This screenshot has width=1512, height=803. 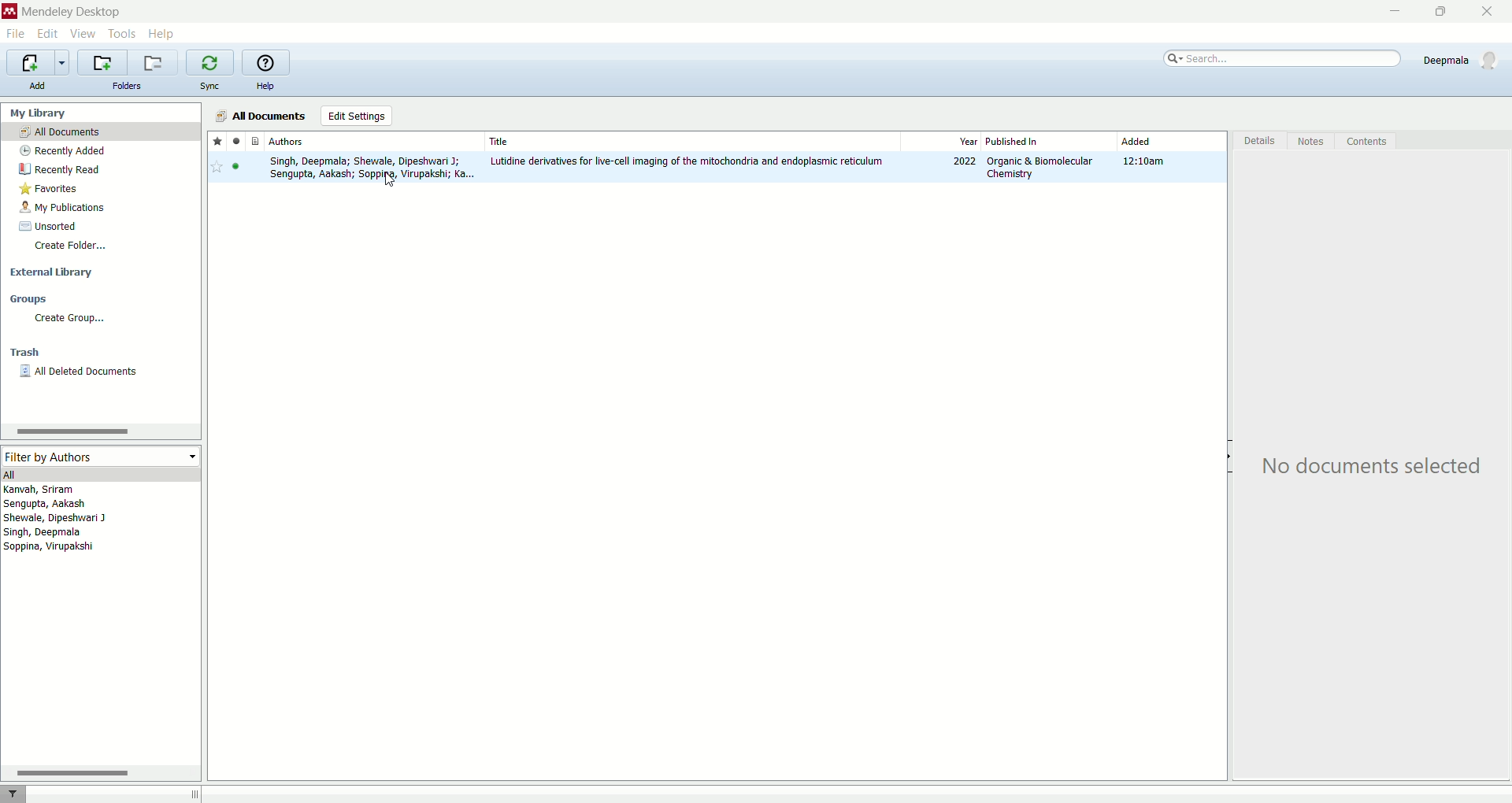 What do you see at coordinates (84, 33) in the screenshot?
I see `view` at bounding box center [84, 33].